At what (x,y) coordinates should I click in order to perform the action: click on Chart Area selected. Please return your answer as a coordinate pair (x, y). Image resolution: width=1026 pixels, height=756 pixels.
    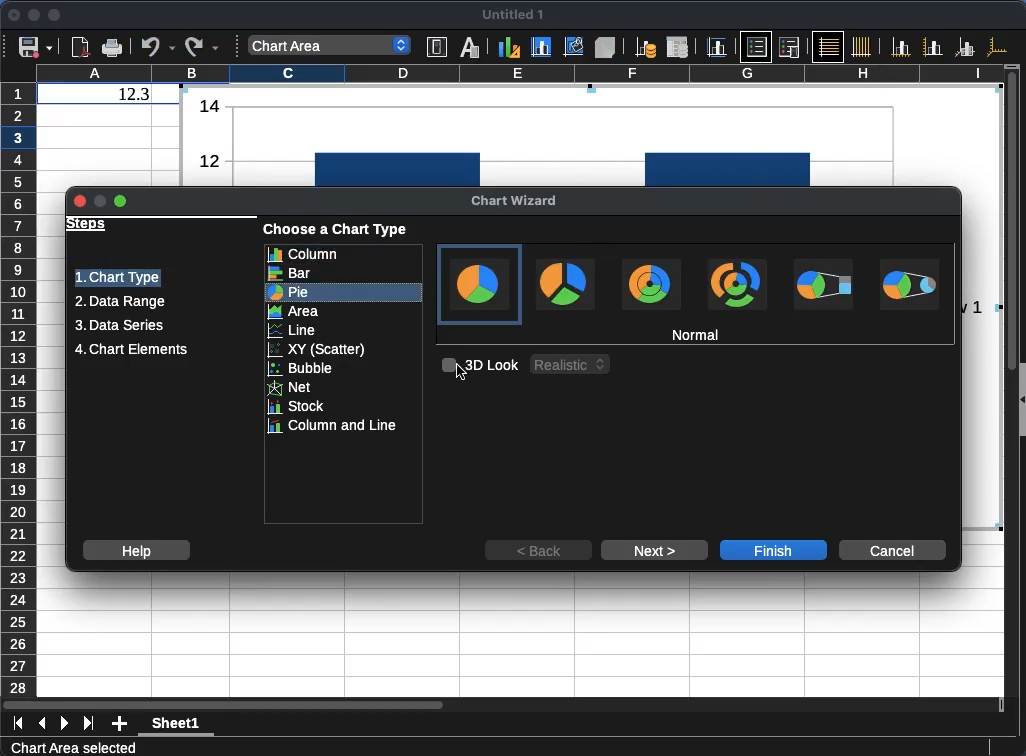
    Looking at the image, I should click on (73, 747).